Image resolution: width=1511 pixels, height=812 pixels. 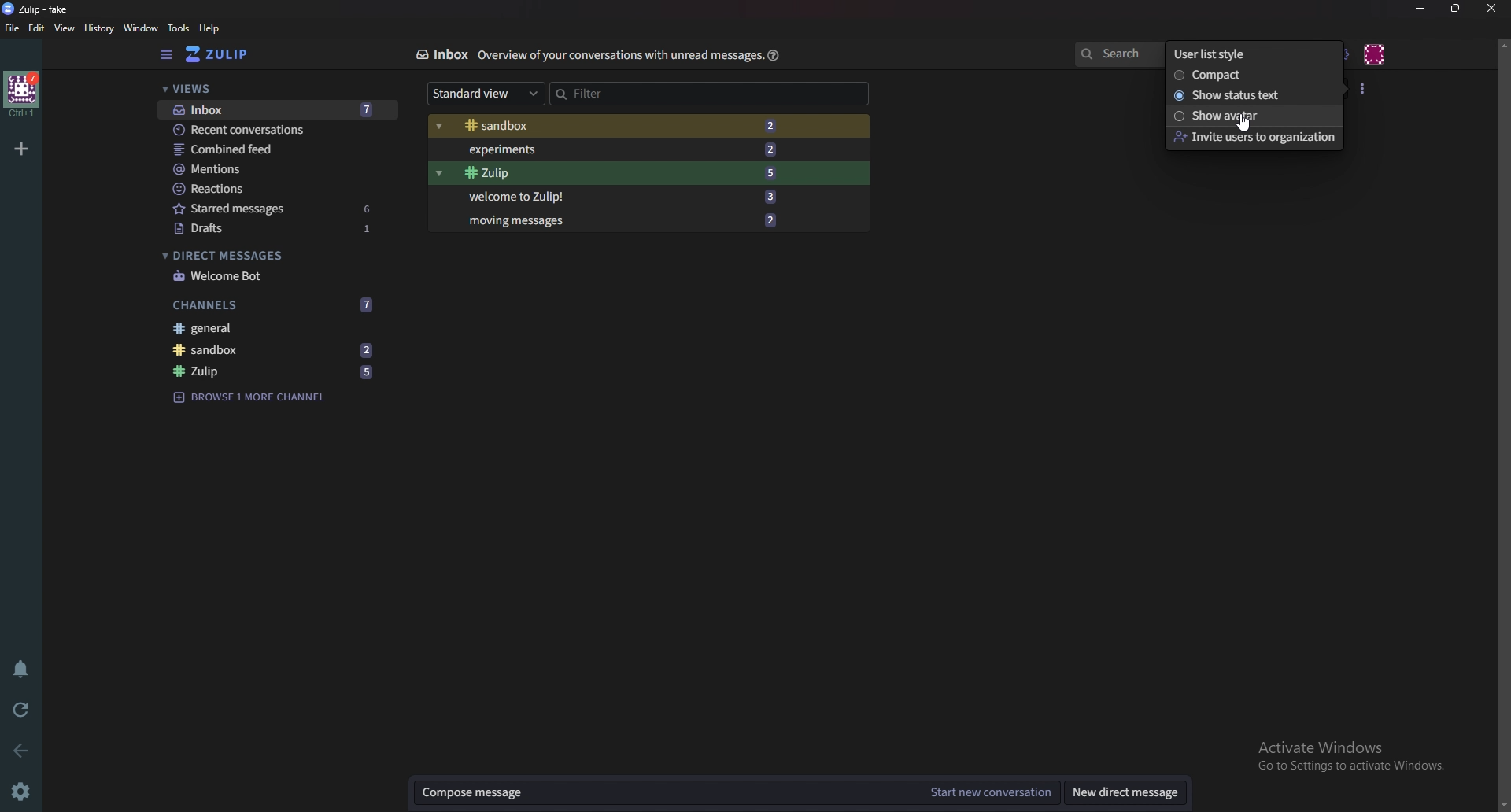 What do you see at coordinates (1340, 54) in the screenshot?
I see `Main menu` at bounding box center [1340, 54].